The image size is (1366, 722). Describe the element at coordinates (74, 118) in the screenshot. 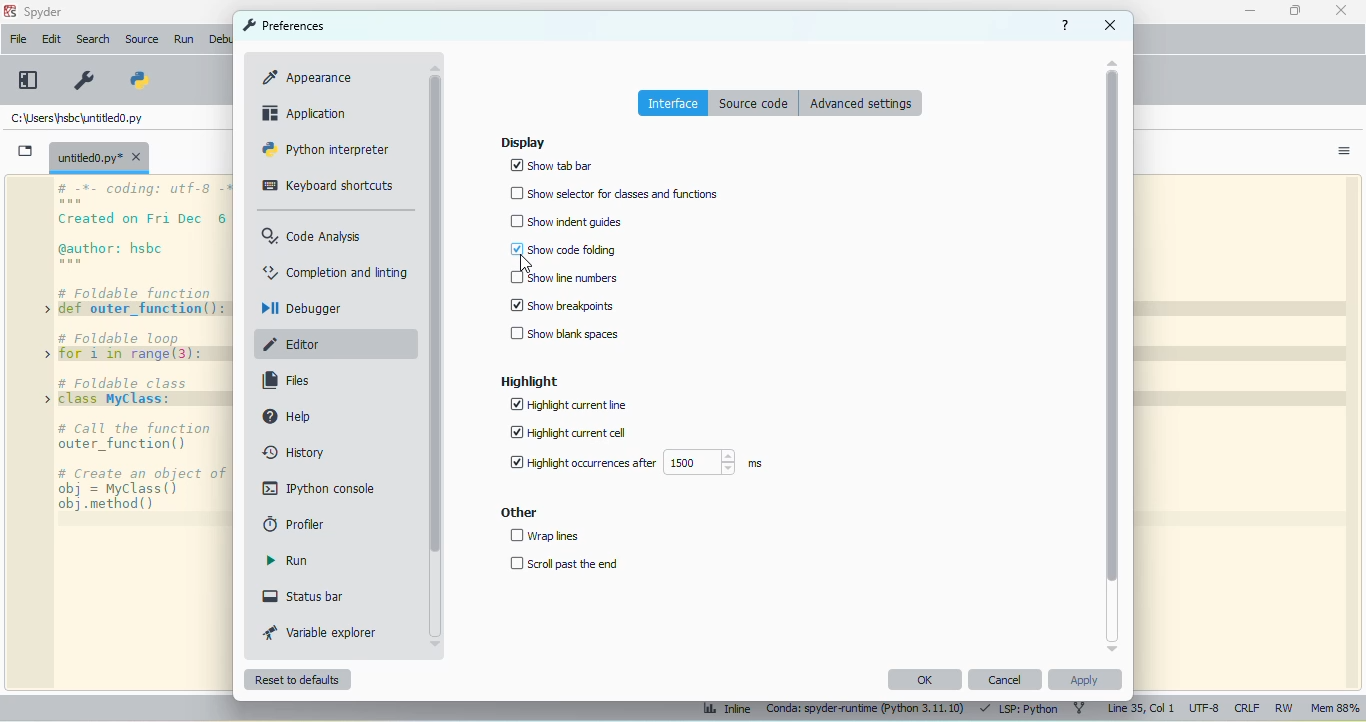

I see `untitled0.py` at that location.